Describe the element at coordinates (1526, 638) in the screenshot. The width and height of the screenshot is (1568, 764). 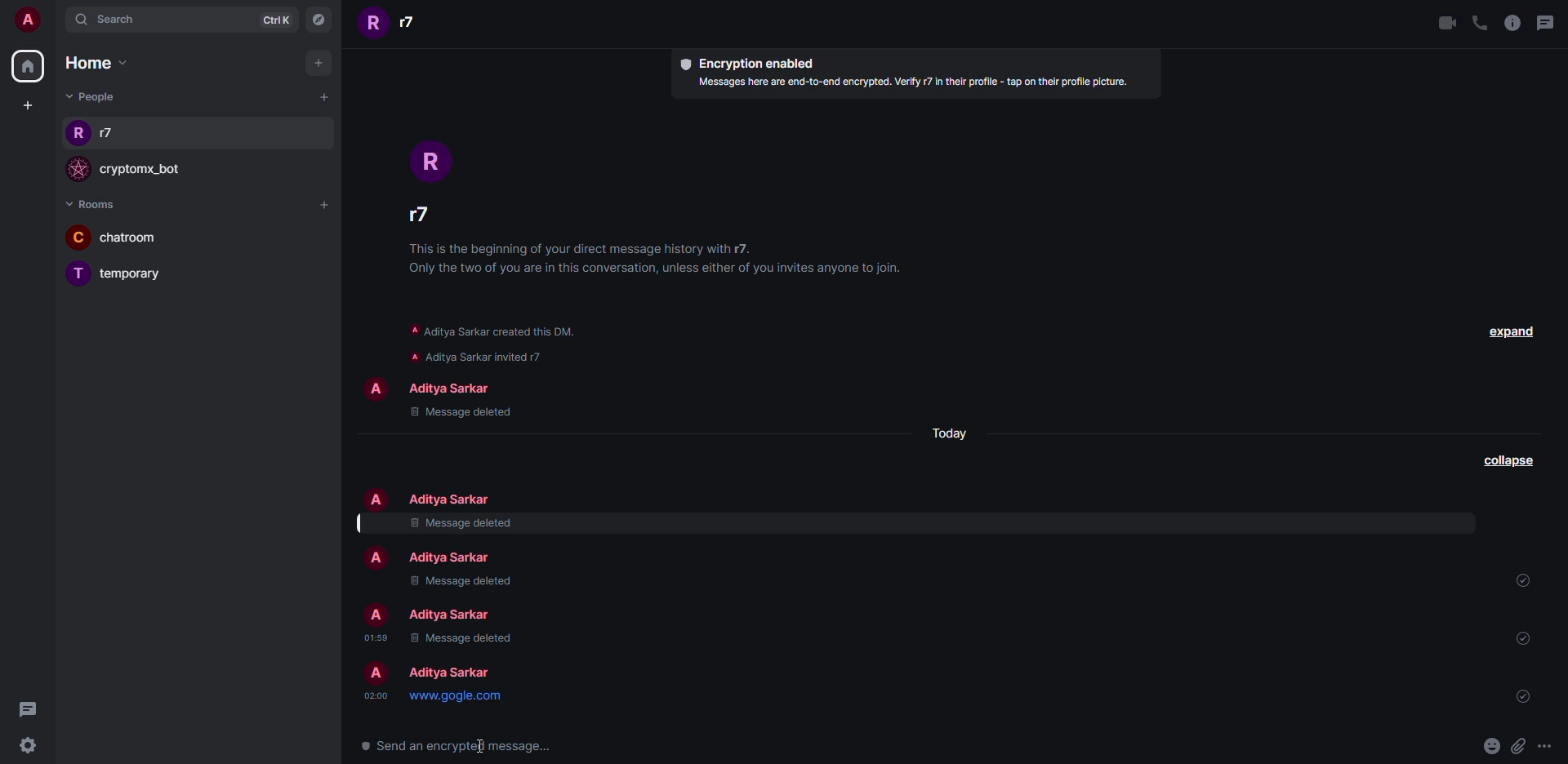
I see `sent` at that location.